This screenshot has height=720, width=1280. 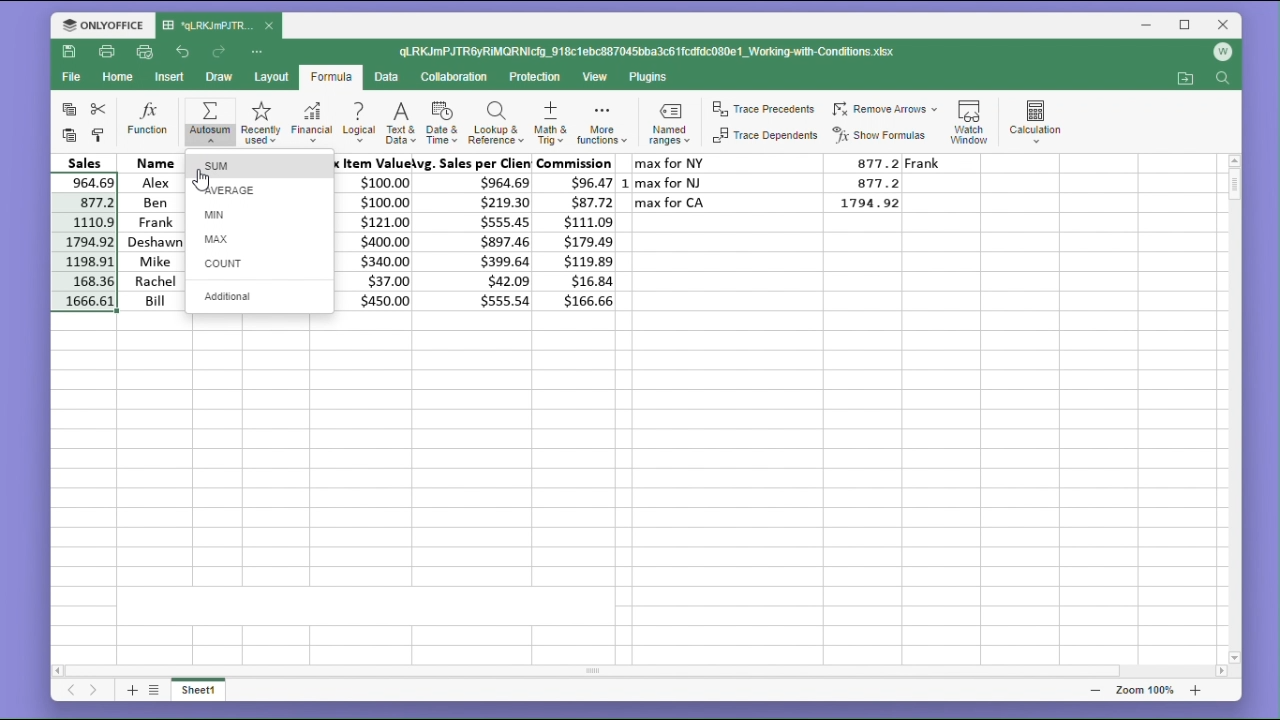 I want to click on onlyoffice, so click(x=98, y=24).